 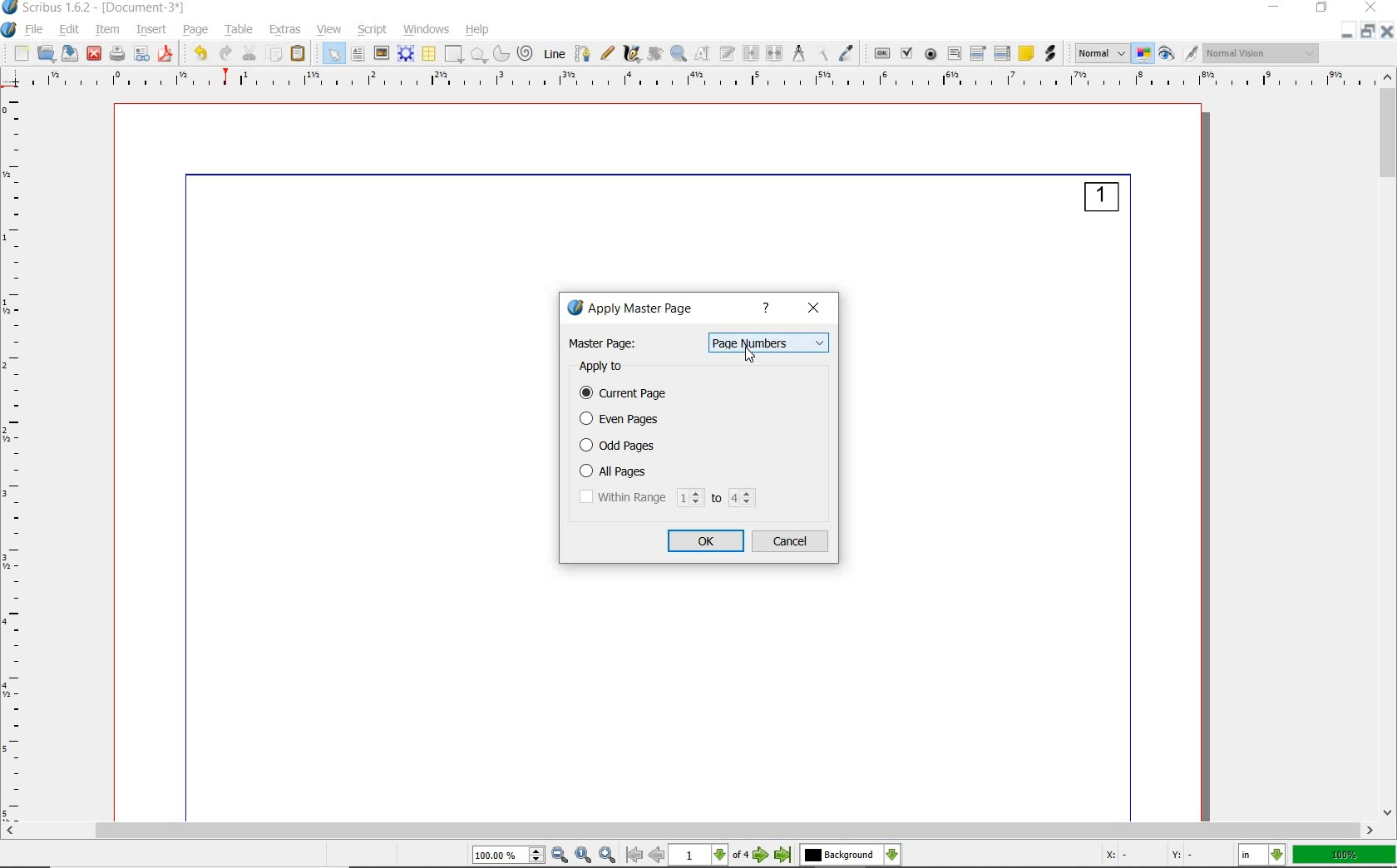 What do you see at coordinates (329, 28) in the screenshot?
I see `view` at bounding box center [329, 28].